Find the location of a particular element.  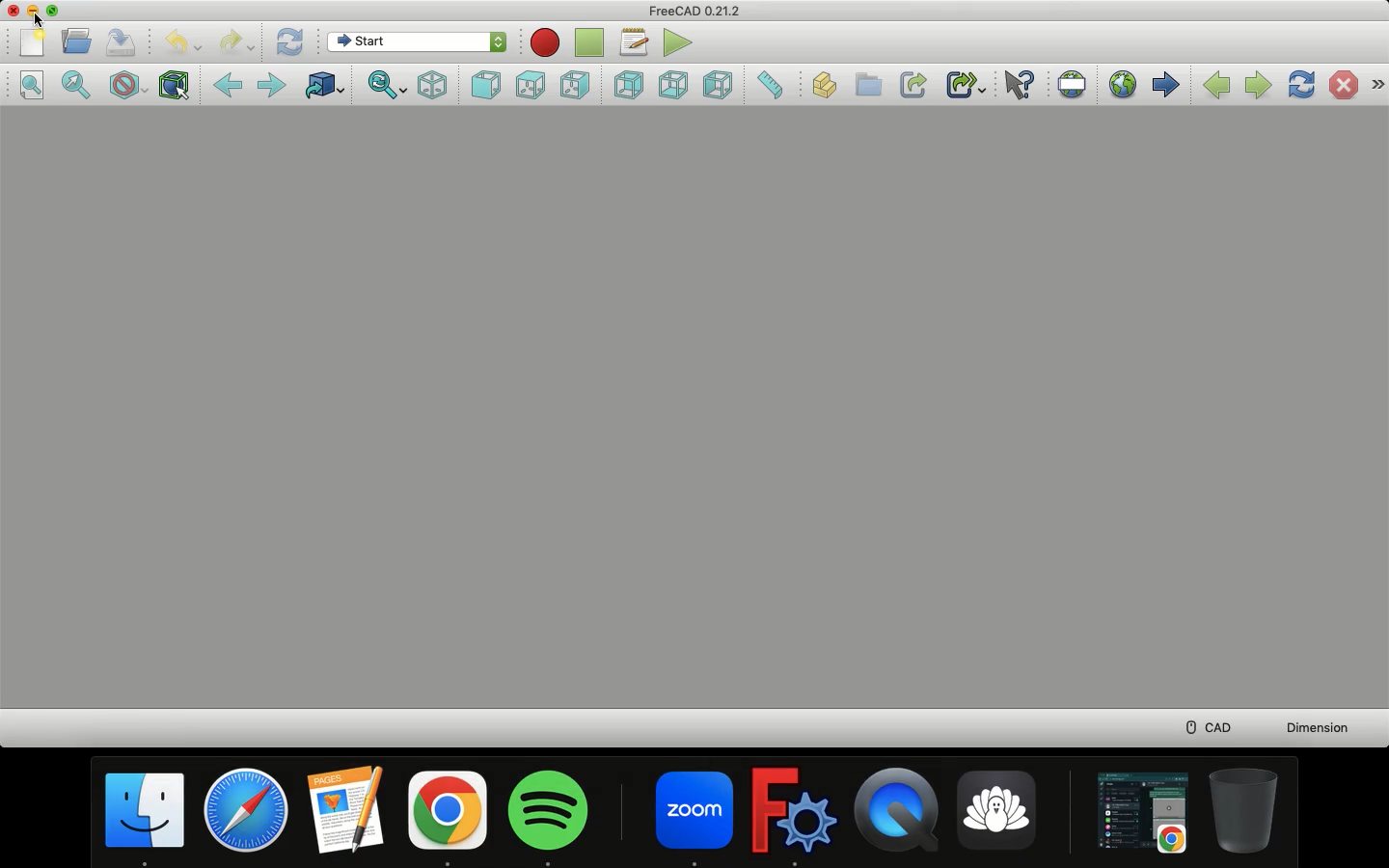

Isometric is located at coordinates (434, 84).